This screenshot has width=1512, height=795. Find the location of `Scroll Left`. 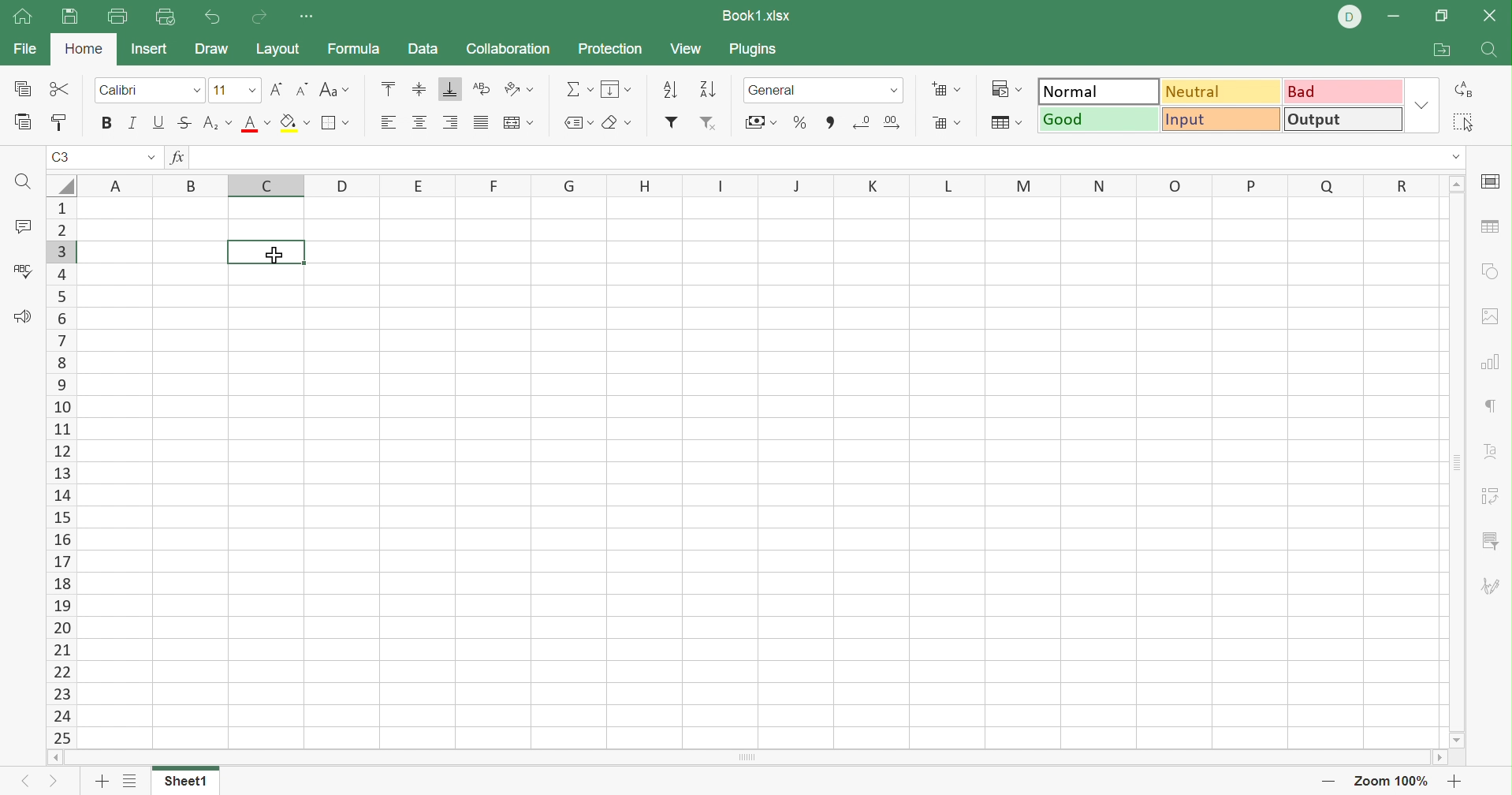

Scroll Left is located at coordinates (55, 759).